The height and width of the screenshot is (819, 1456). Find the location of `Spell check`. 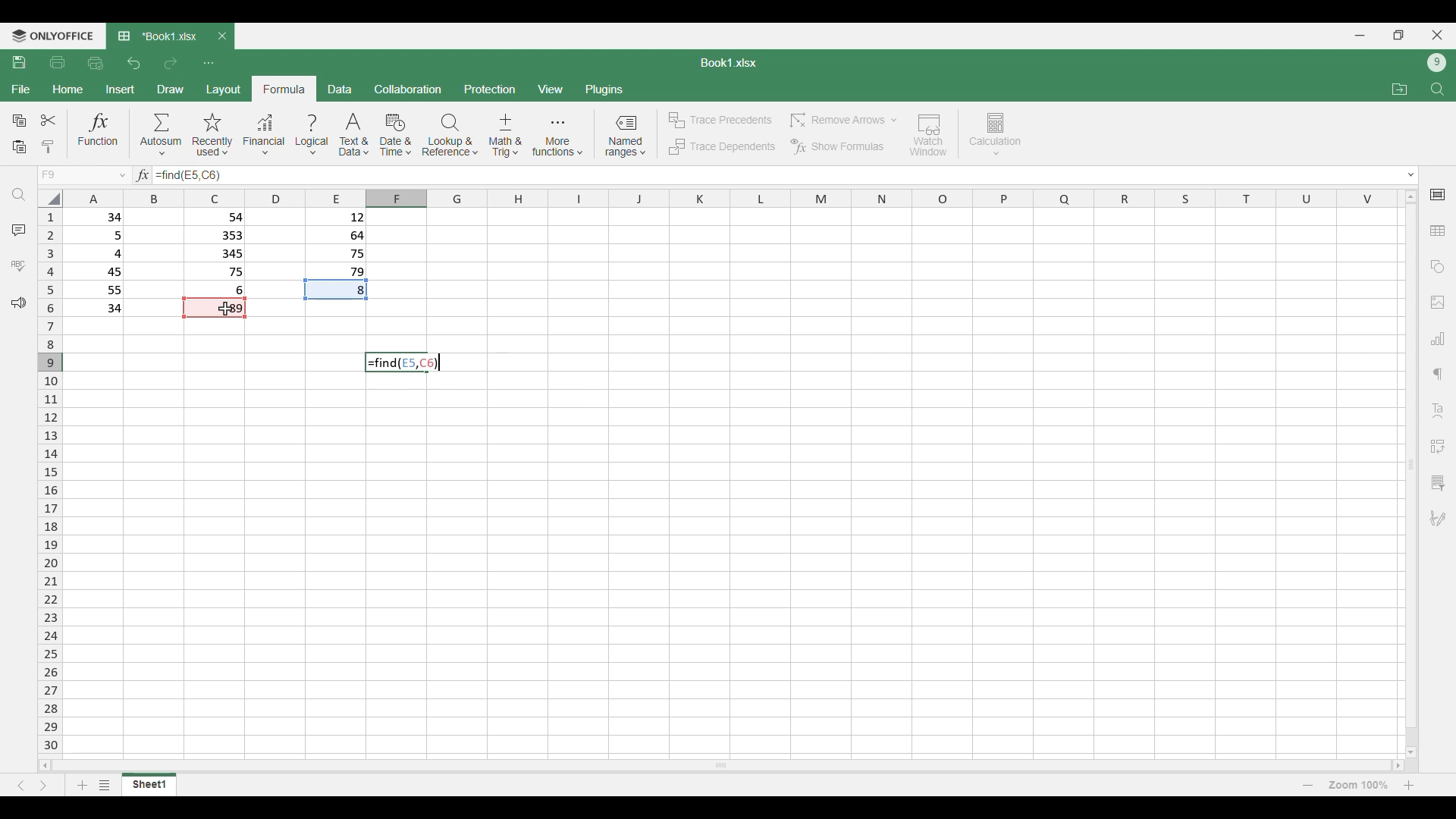

Spell check is located at coordinates (18, 265).